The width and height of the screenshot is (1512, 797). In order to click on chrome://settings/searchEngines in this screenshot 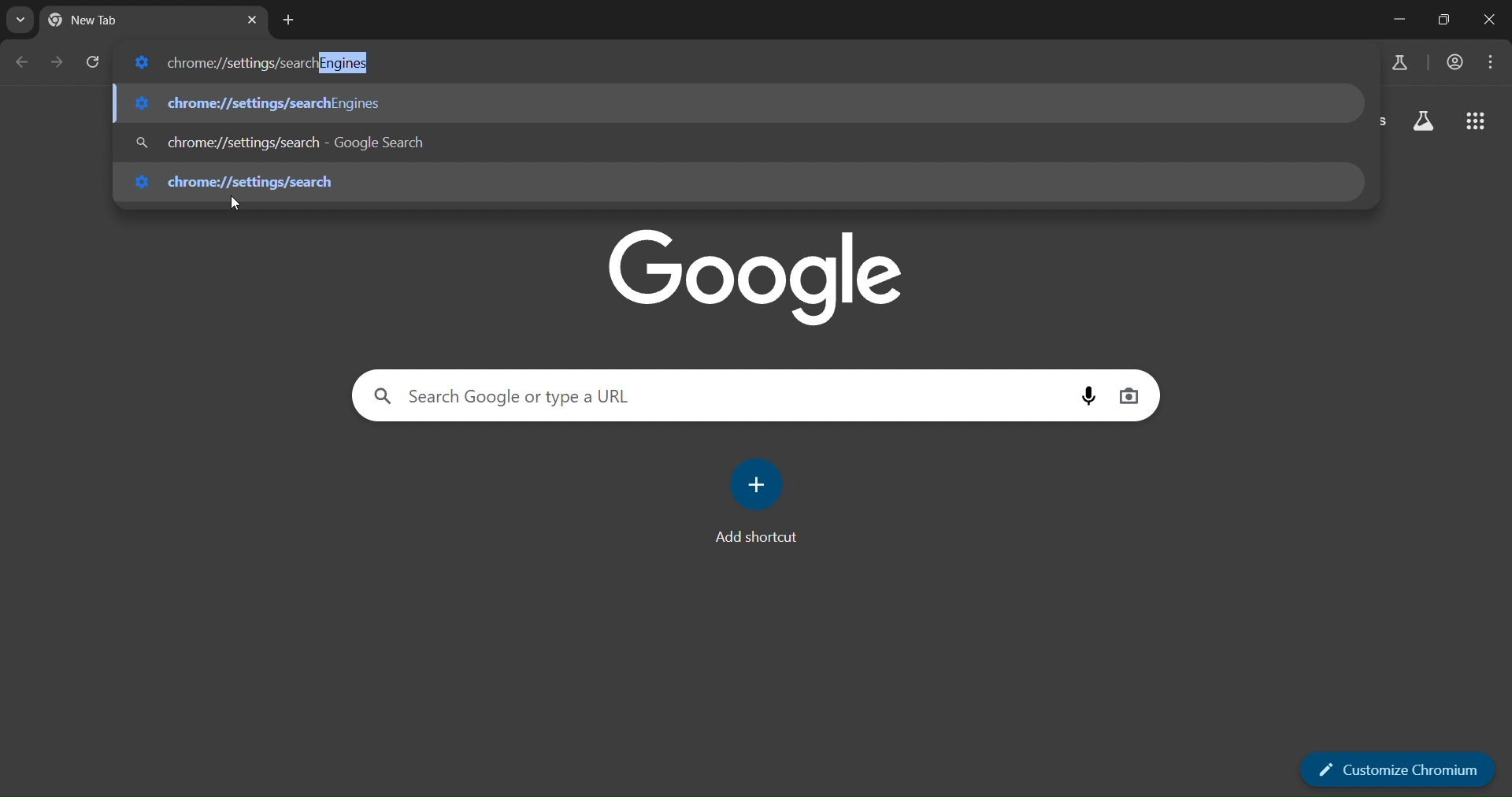, I will do `click(246, 61)`.